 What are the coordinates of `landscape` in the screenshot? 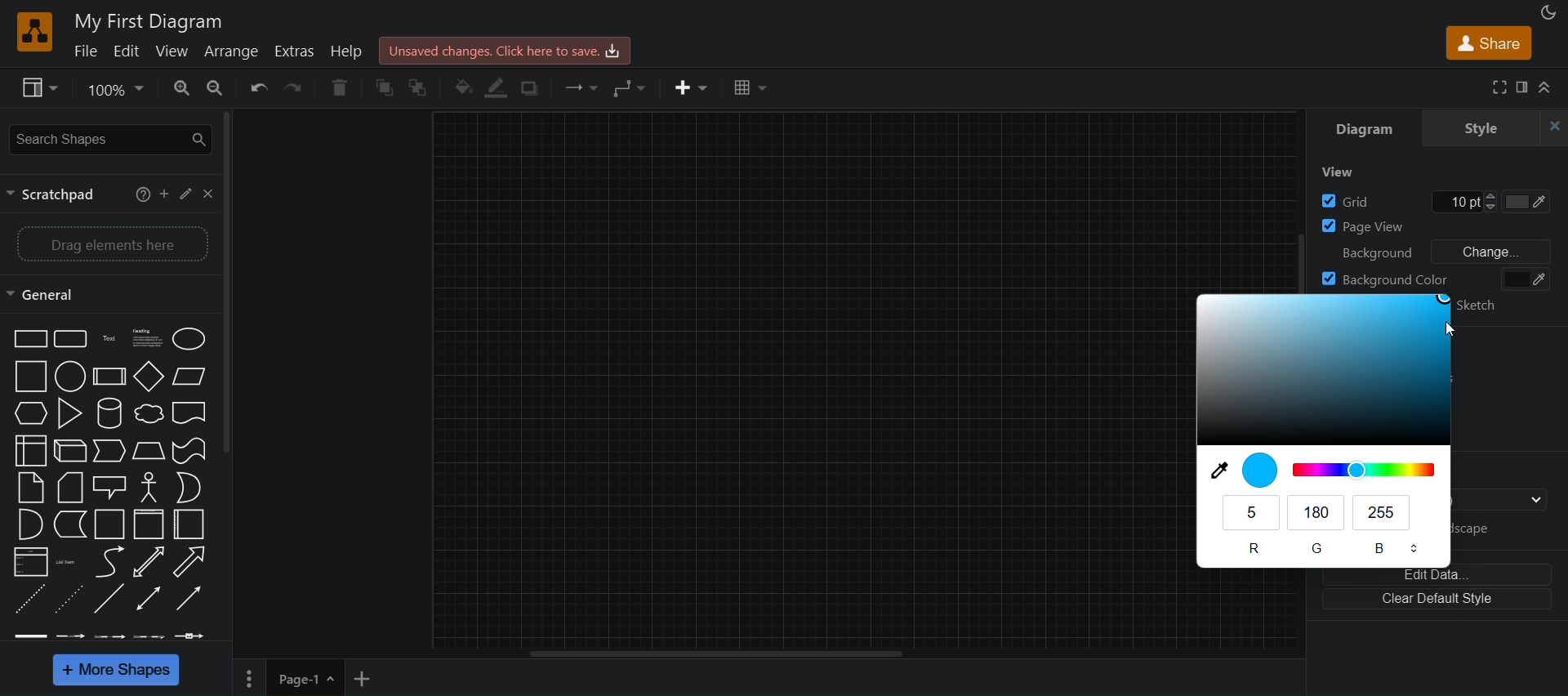 It's located at (1483, 530).